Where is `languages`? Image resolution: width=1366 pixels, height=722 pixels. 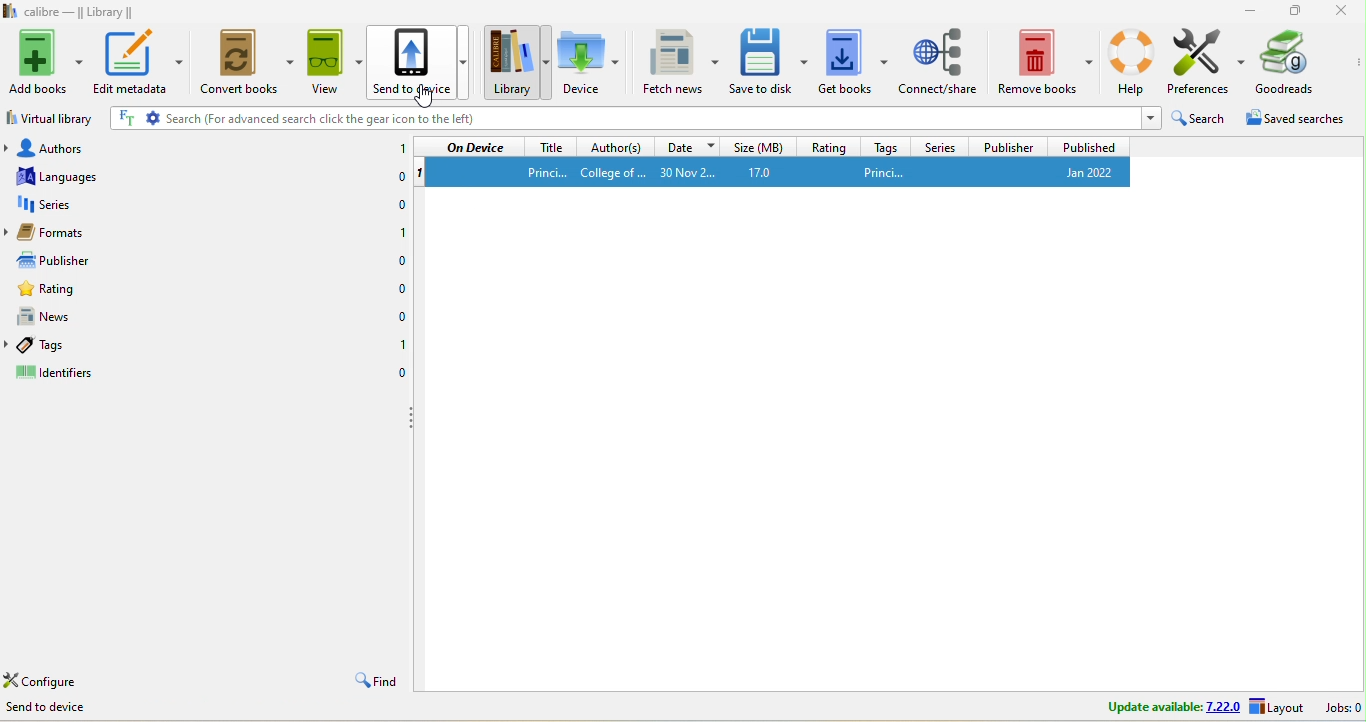
languages is located at coordinates (177, 175).